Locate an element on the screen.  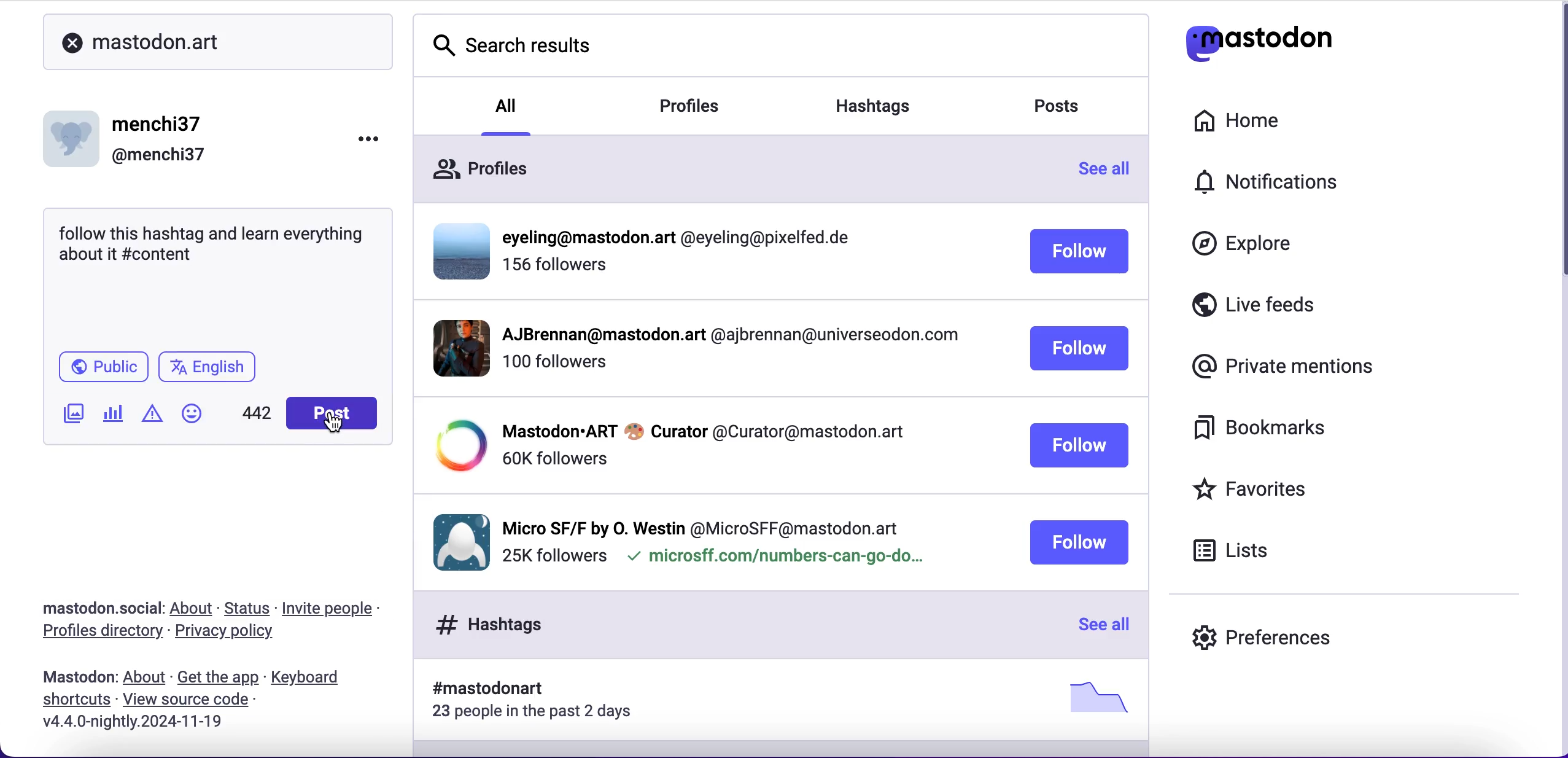
options is located at coordinates (359, 144).